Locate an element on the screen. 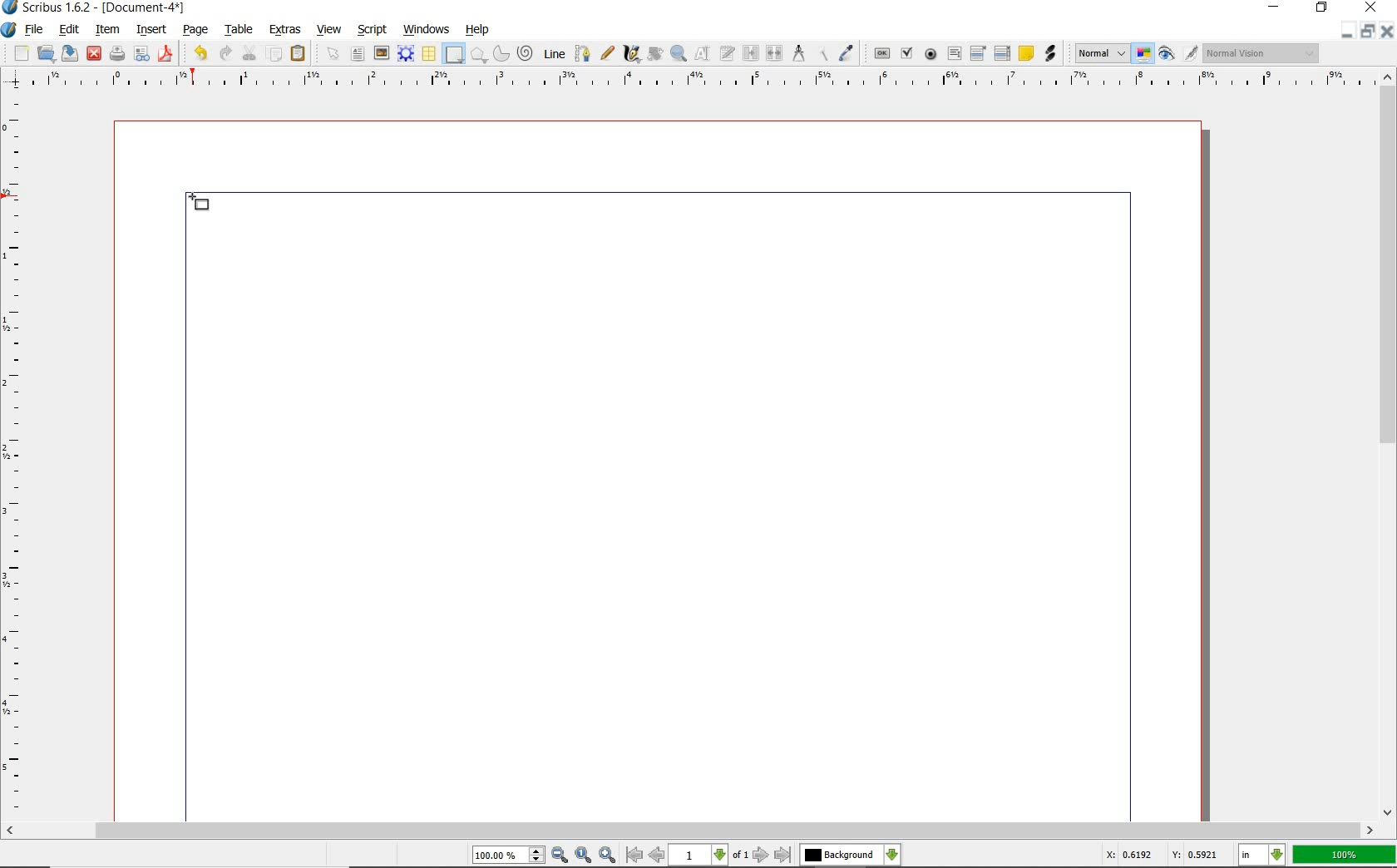  calligraphic line is located at coordinates (631, 53).